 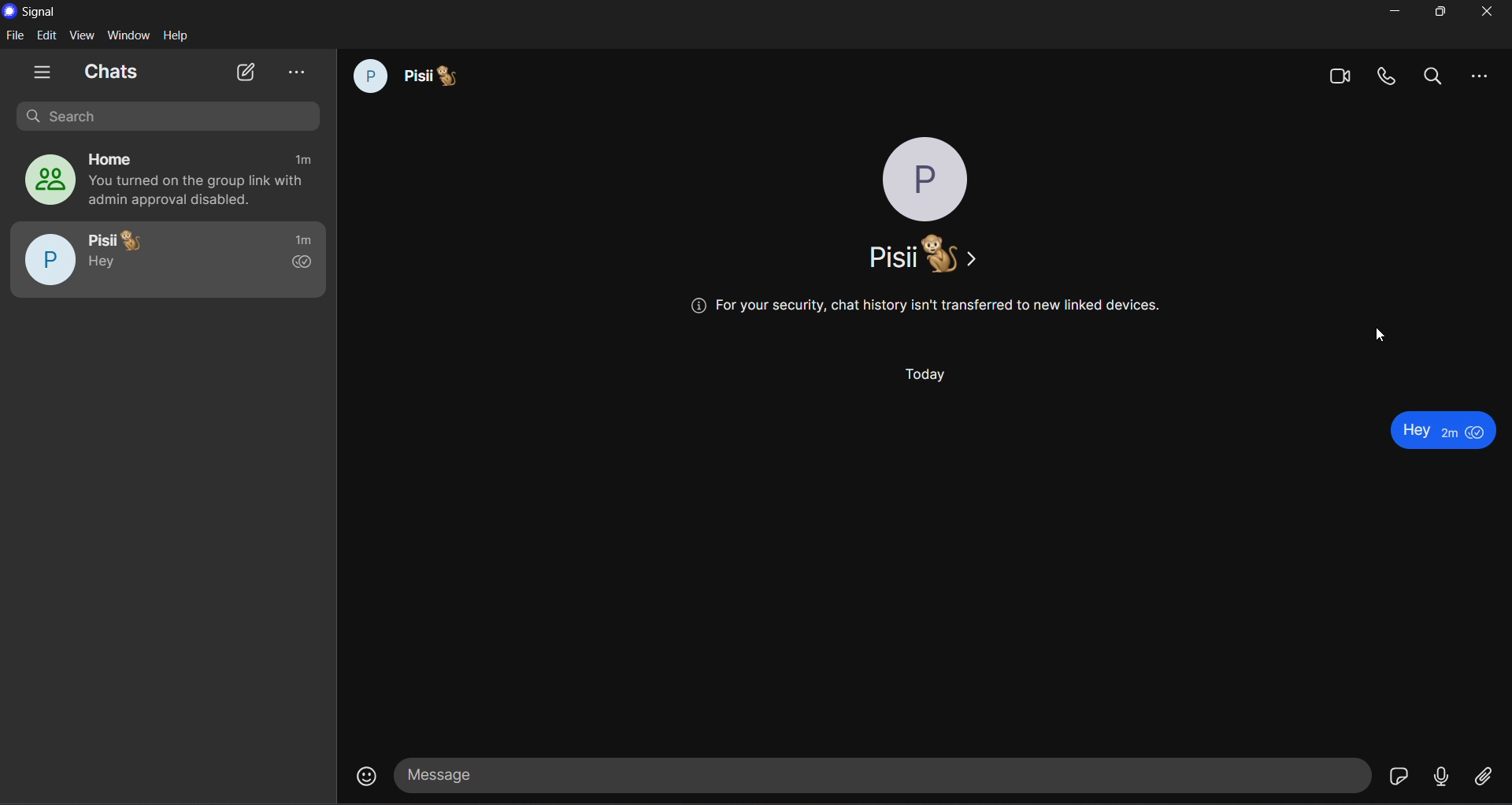 I want to click on view archive, so click(x=298, y=72).